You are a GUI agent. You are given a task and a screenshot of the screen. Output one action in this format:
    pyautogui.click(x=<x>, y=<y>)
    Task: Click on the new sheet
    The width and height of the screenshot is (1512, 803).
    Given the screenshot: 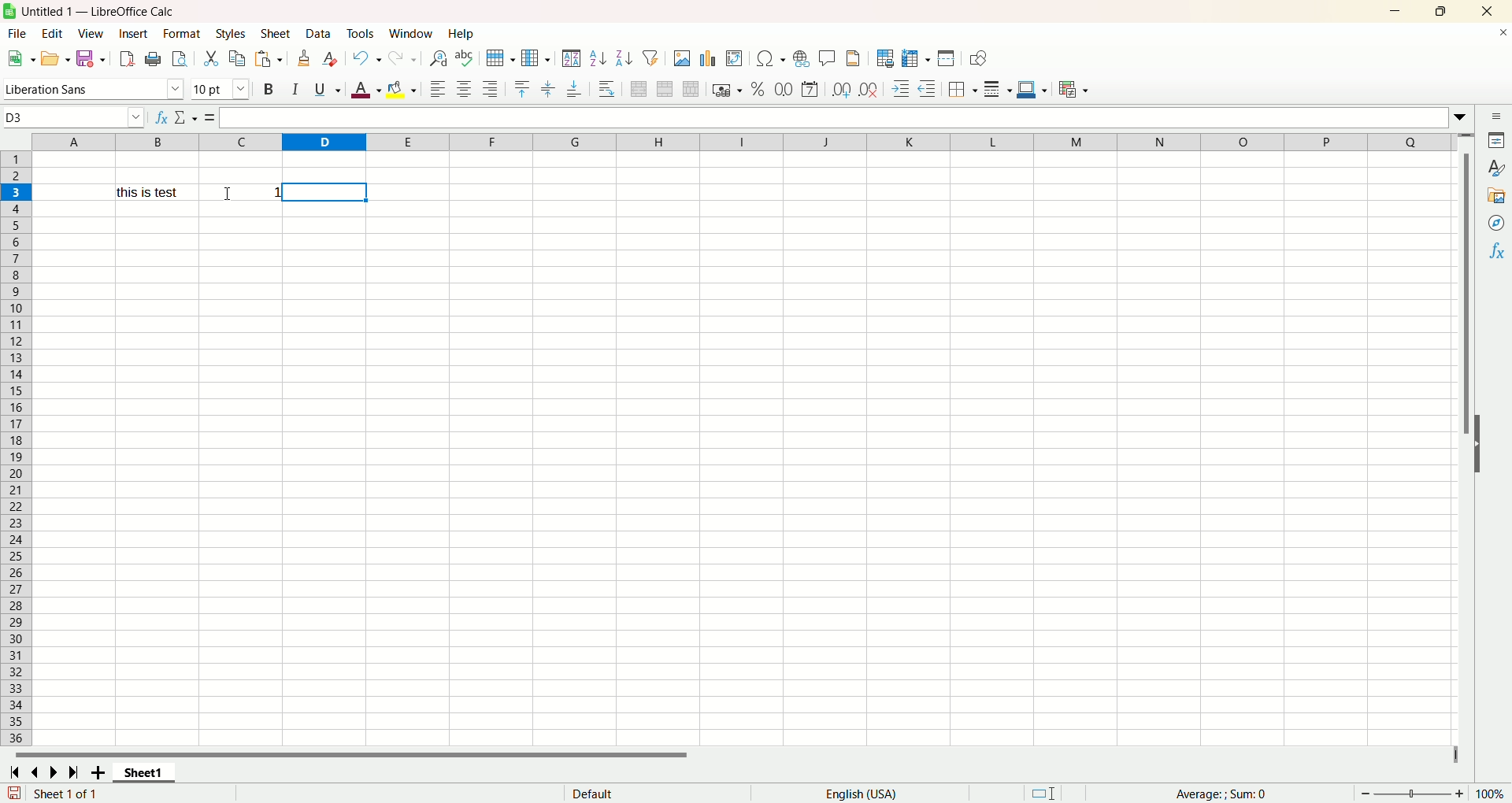 What is the action you would take?
    pyautogui.click(x=101, y=774)
    